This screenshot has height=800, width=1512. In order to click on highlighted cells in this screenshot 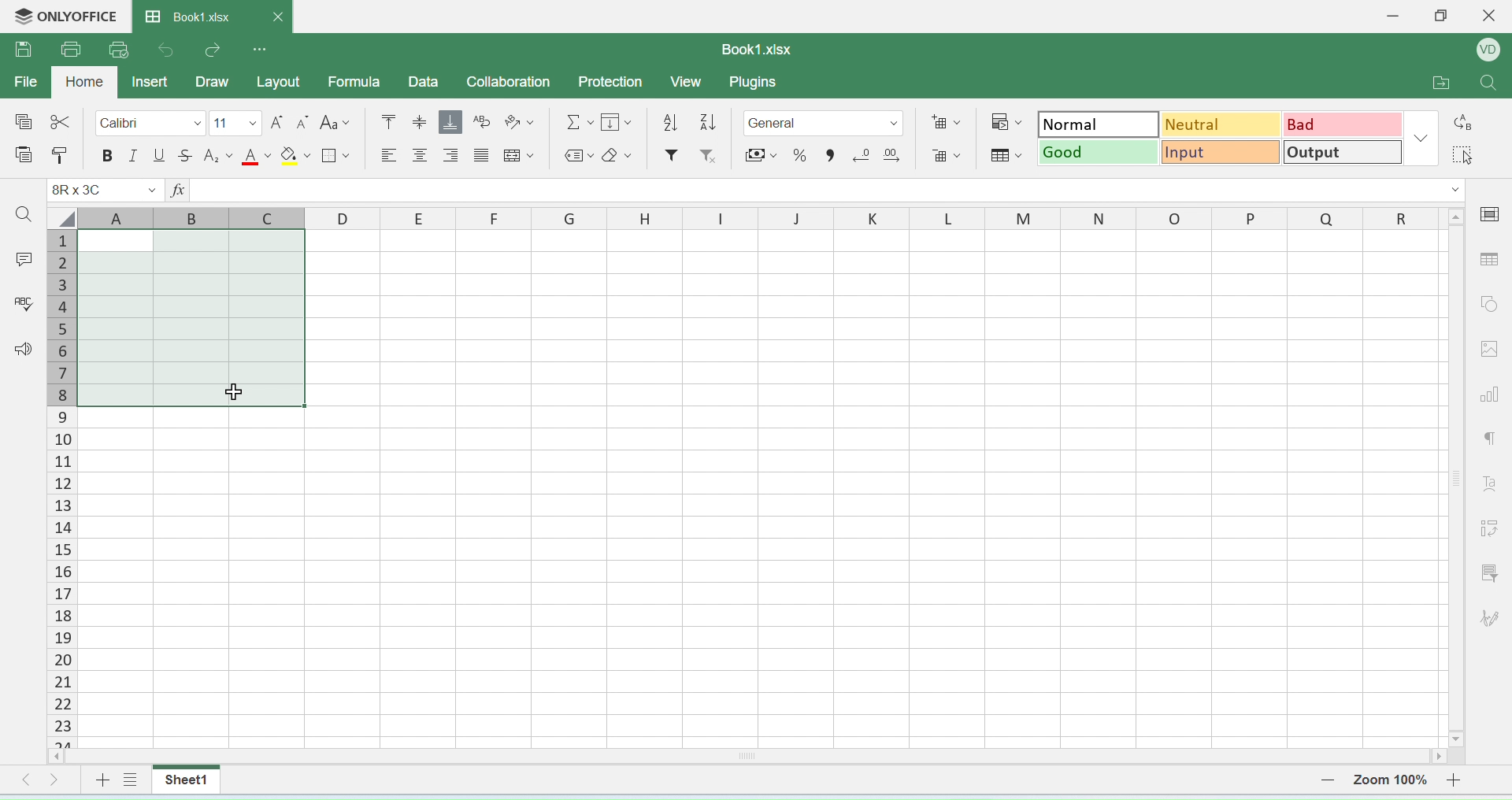, I will do `click(189, 317)`.